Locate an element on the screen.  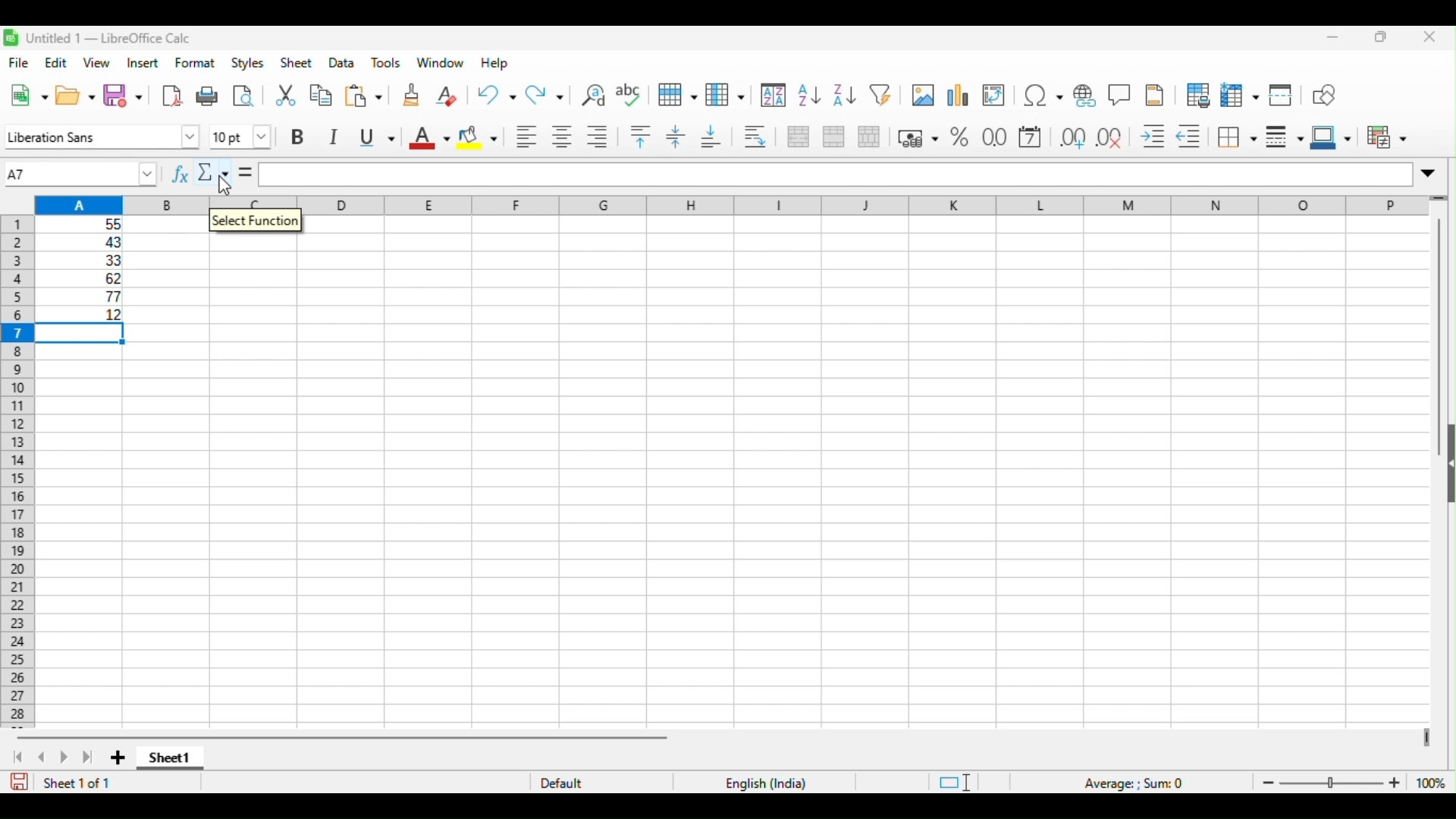
align center is located at coordinates (563, 137).